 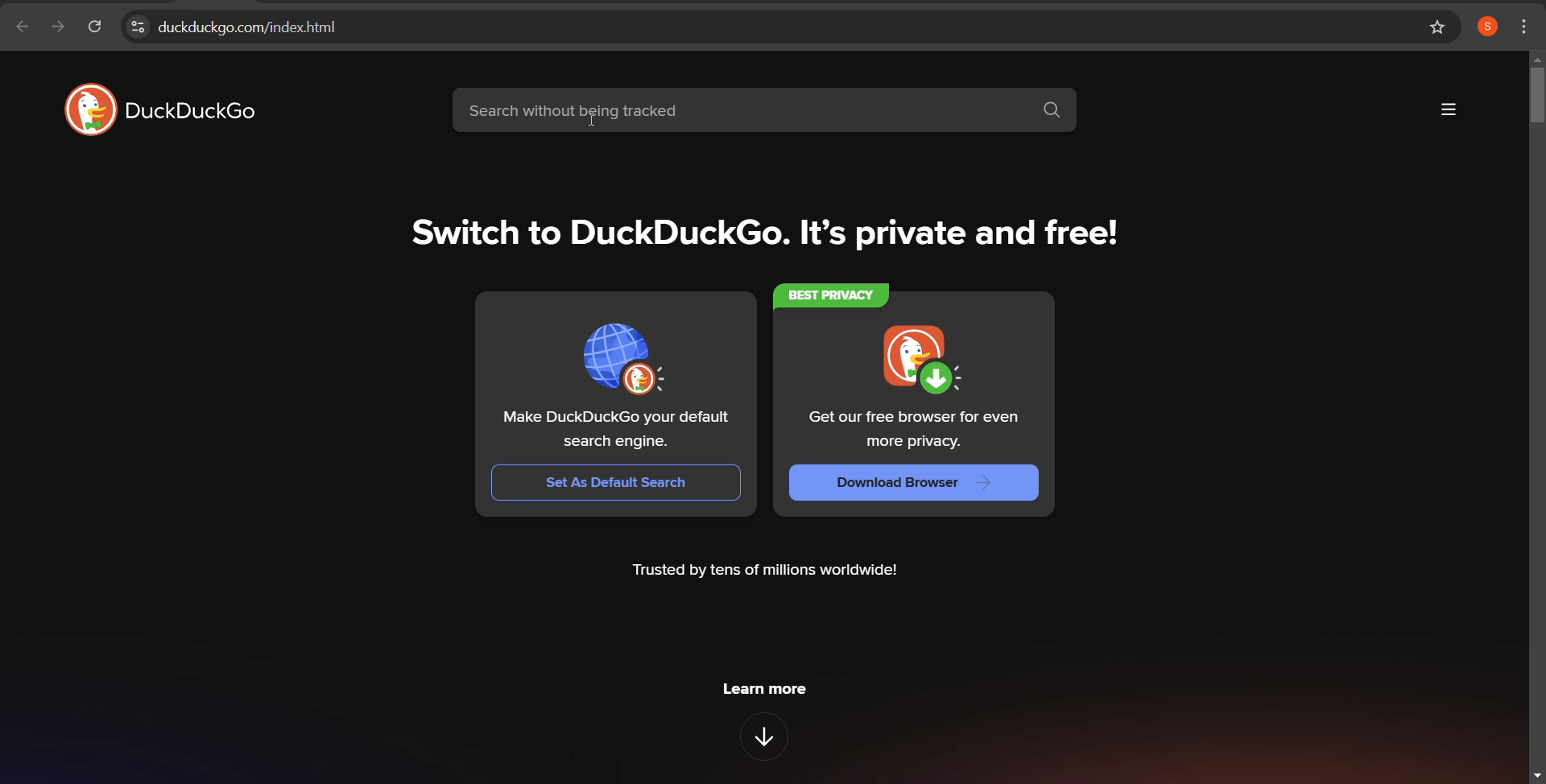 I want to click on Switch to DuckDuckGo. It’s private and free!, so click(x=762, y=237).